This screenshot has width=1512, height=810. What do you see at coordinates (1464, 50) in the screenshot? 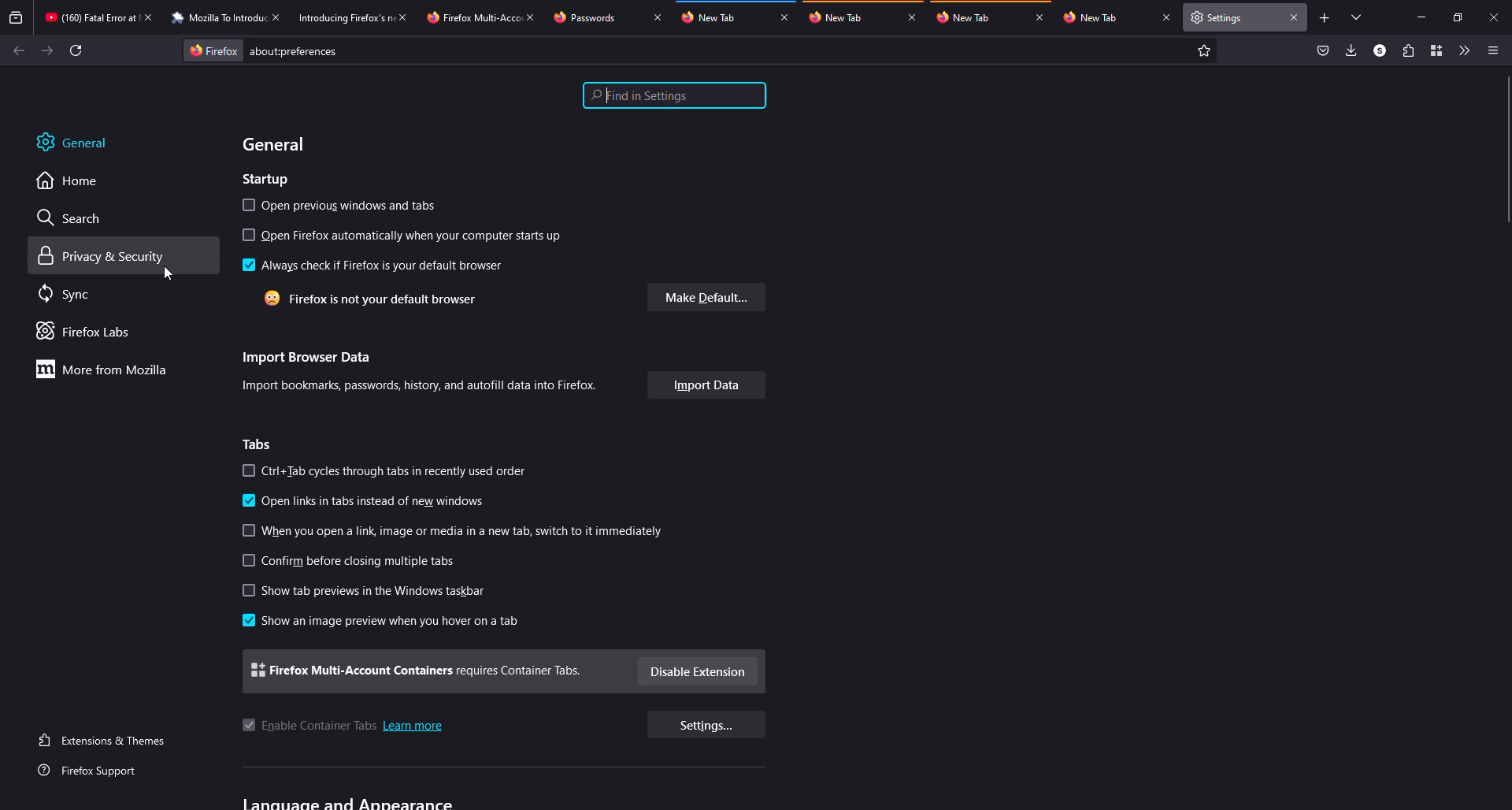
I see `more tools` at bounding box center [1464, 50].